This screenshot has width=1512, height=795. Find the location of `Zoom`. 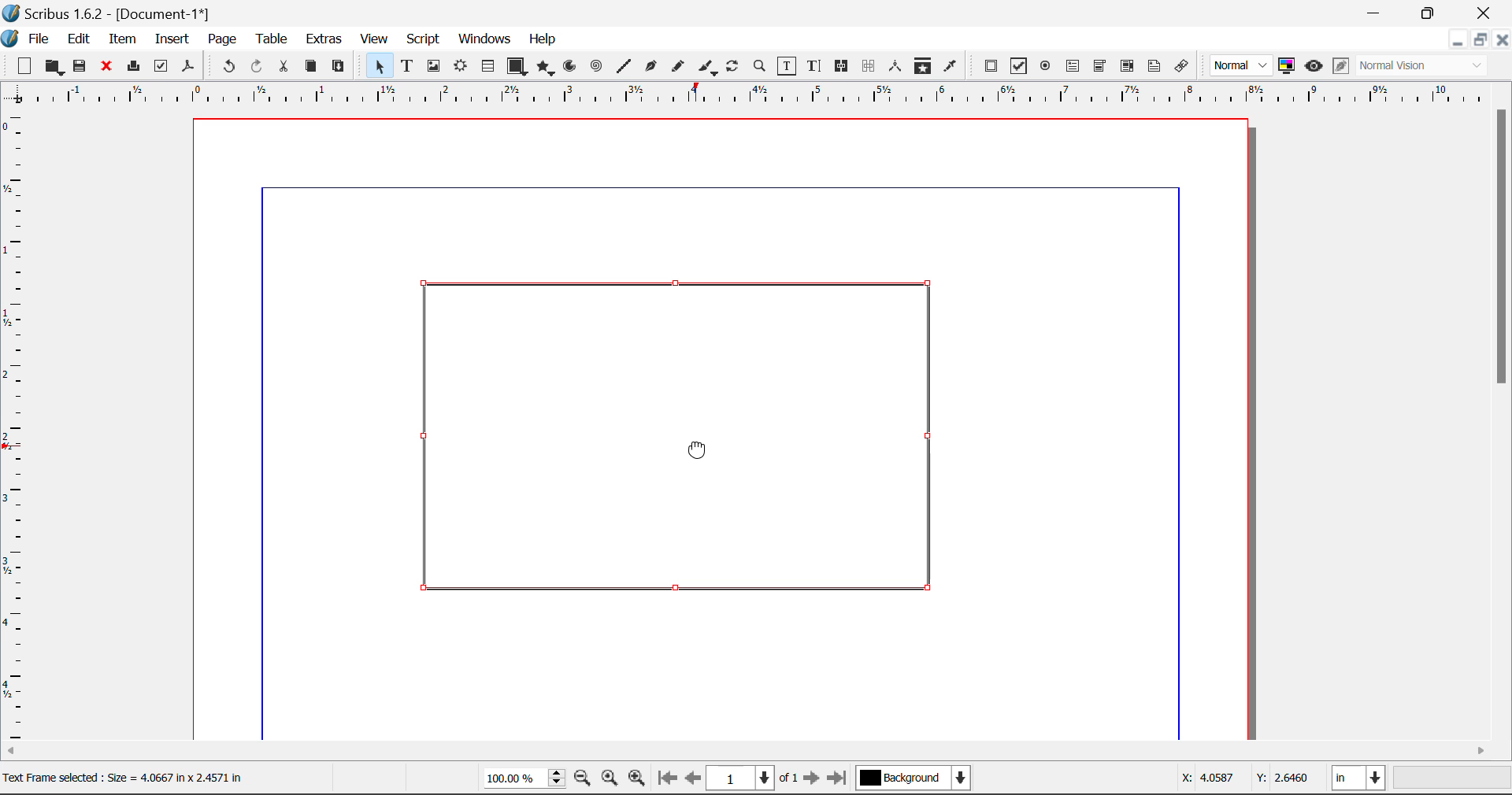

Zoom is located at coordinates (761, 65).